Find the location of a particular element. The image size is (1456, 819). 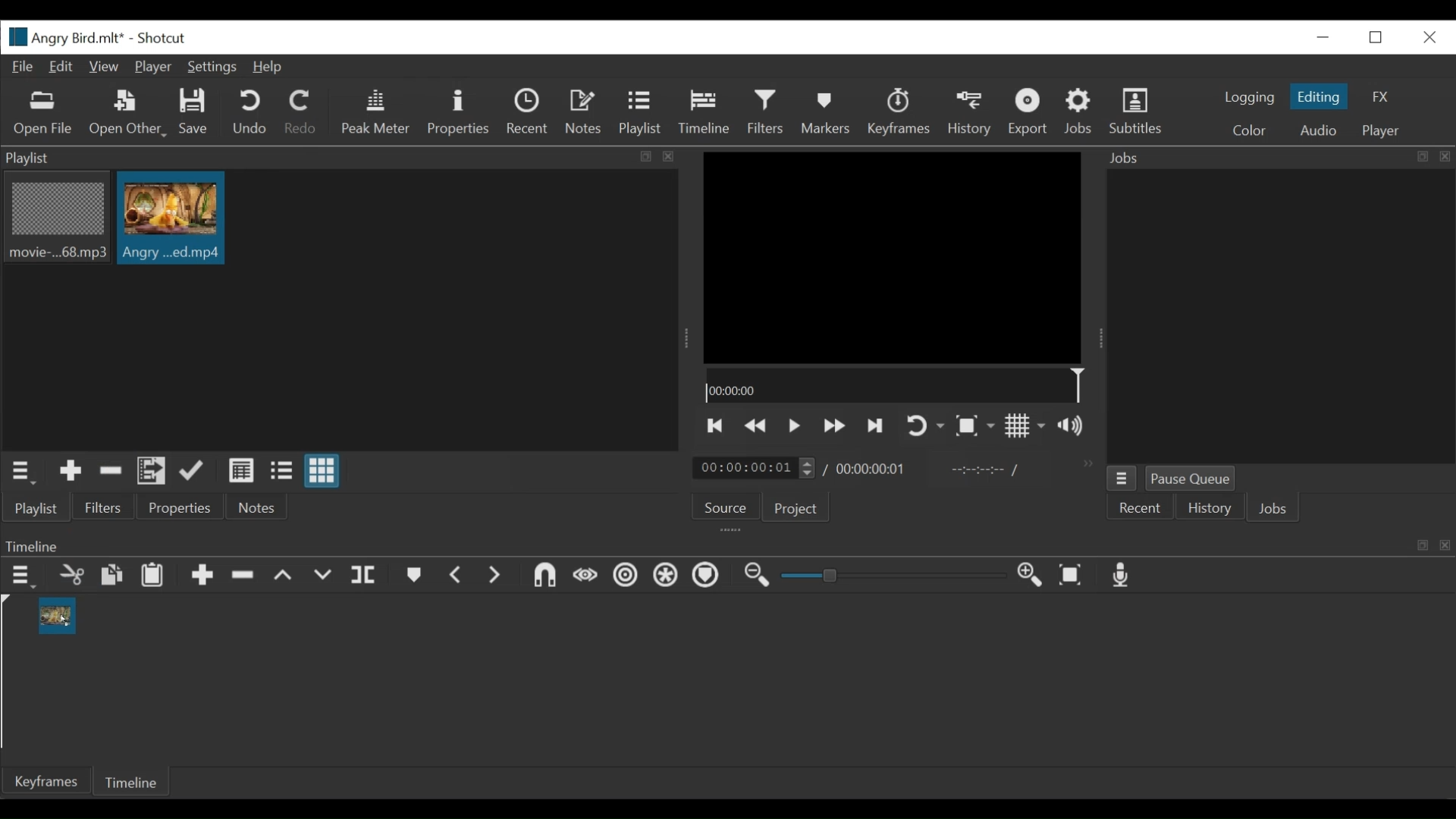

Clip is located at coordinates (171, 218).